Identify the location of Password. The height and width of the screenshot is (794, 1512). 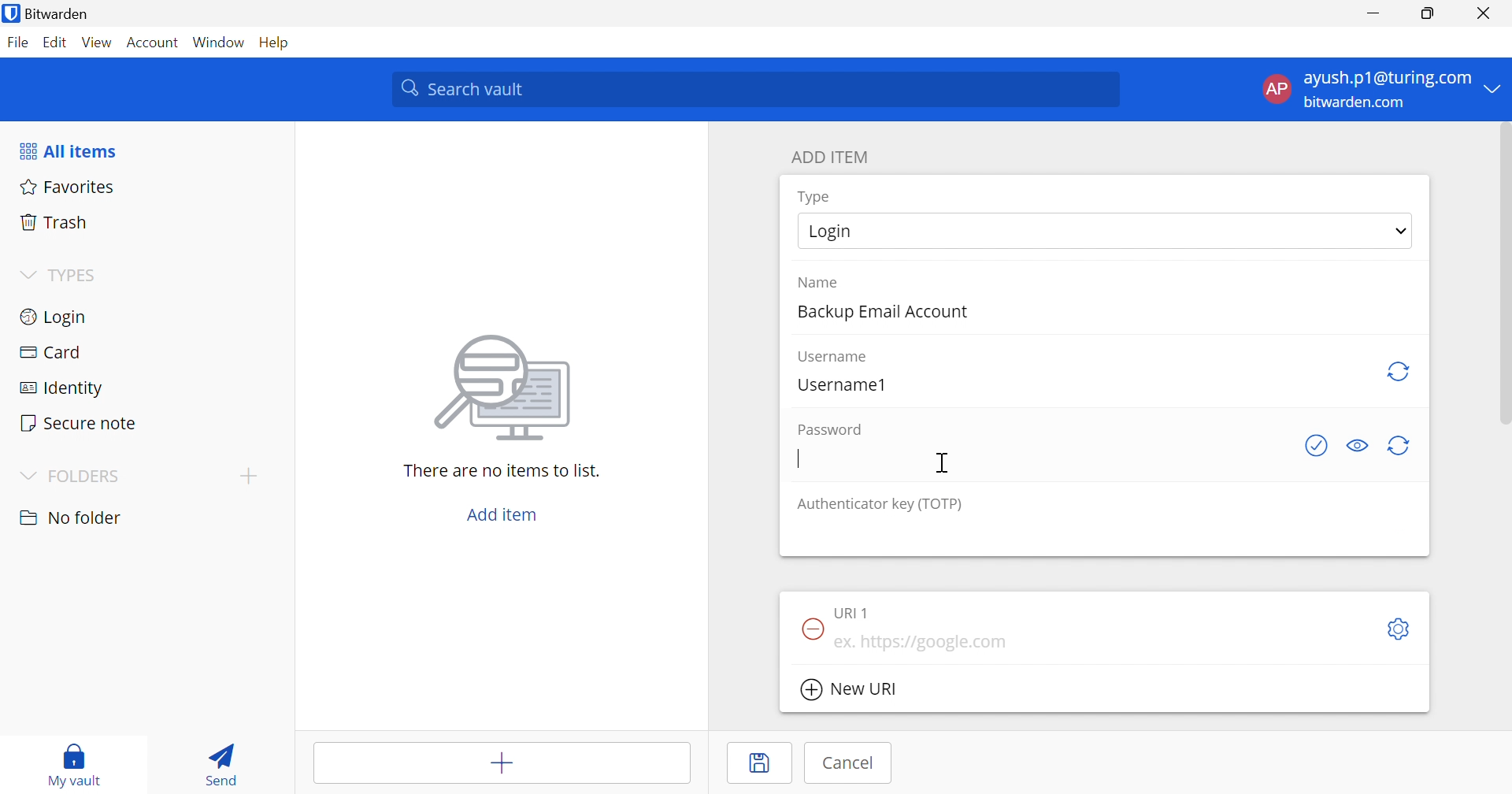
(831, 429).